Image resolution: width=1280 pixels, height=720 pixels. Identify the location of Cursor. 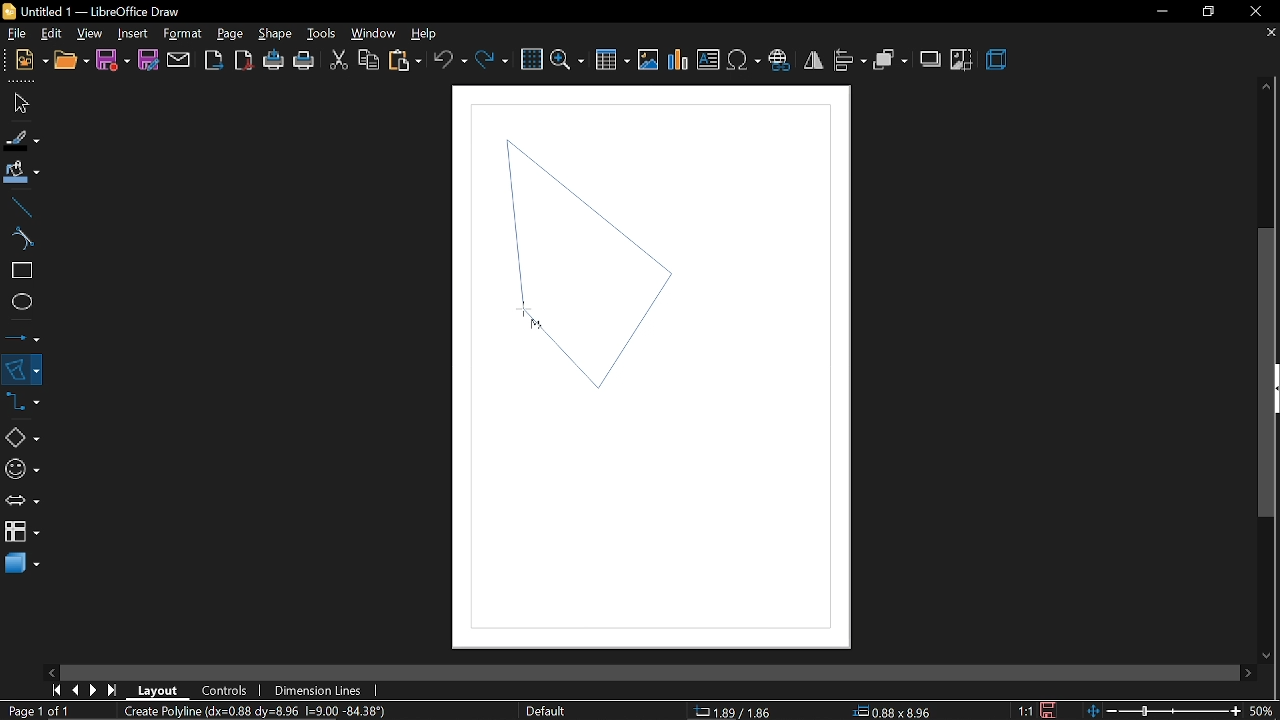
(529, 316).